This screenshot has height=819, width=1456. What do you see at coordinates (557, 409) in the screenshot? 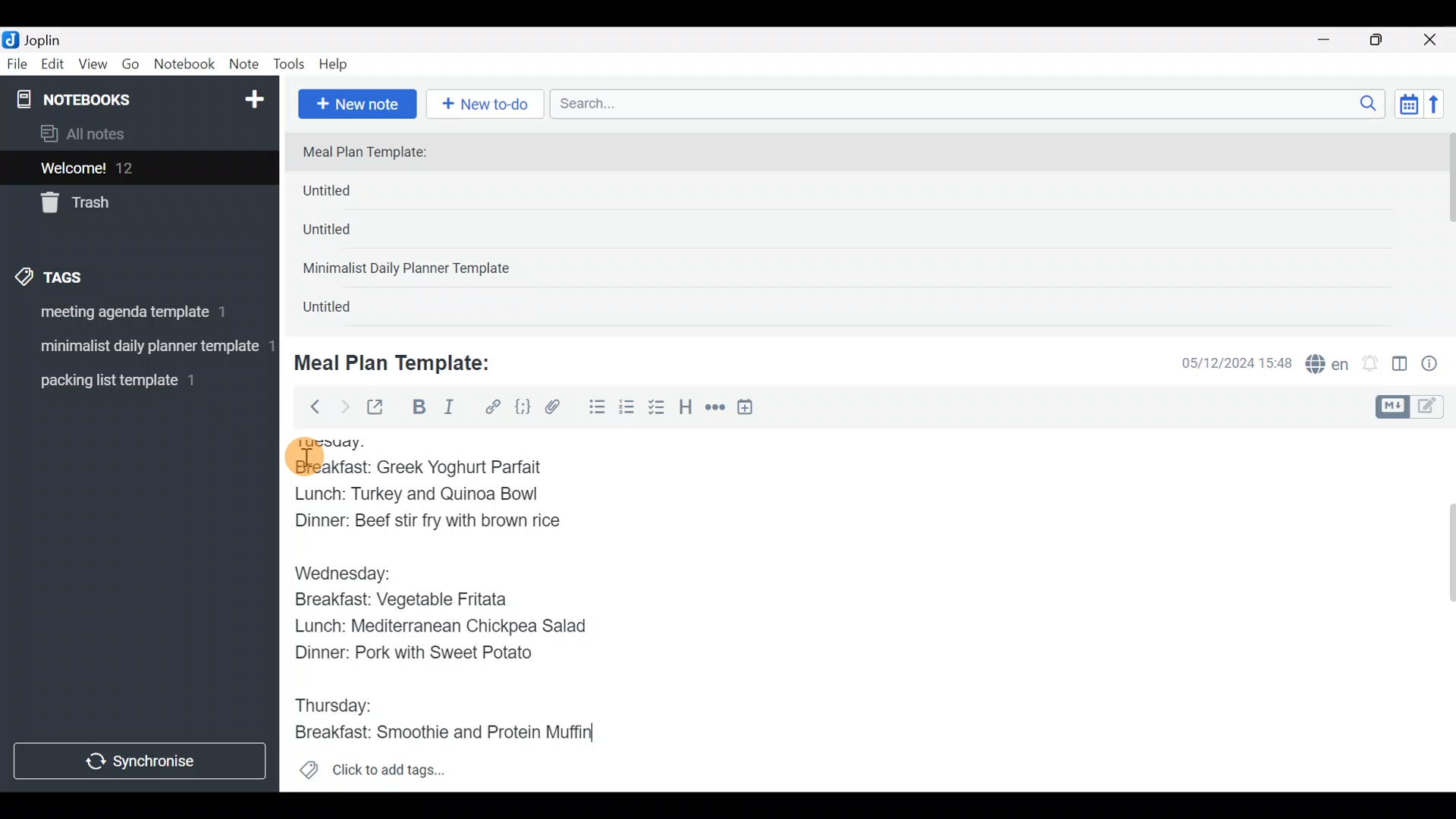
I see `Attach file` at bounding box center [557, 409].